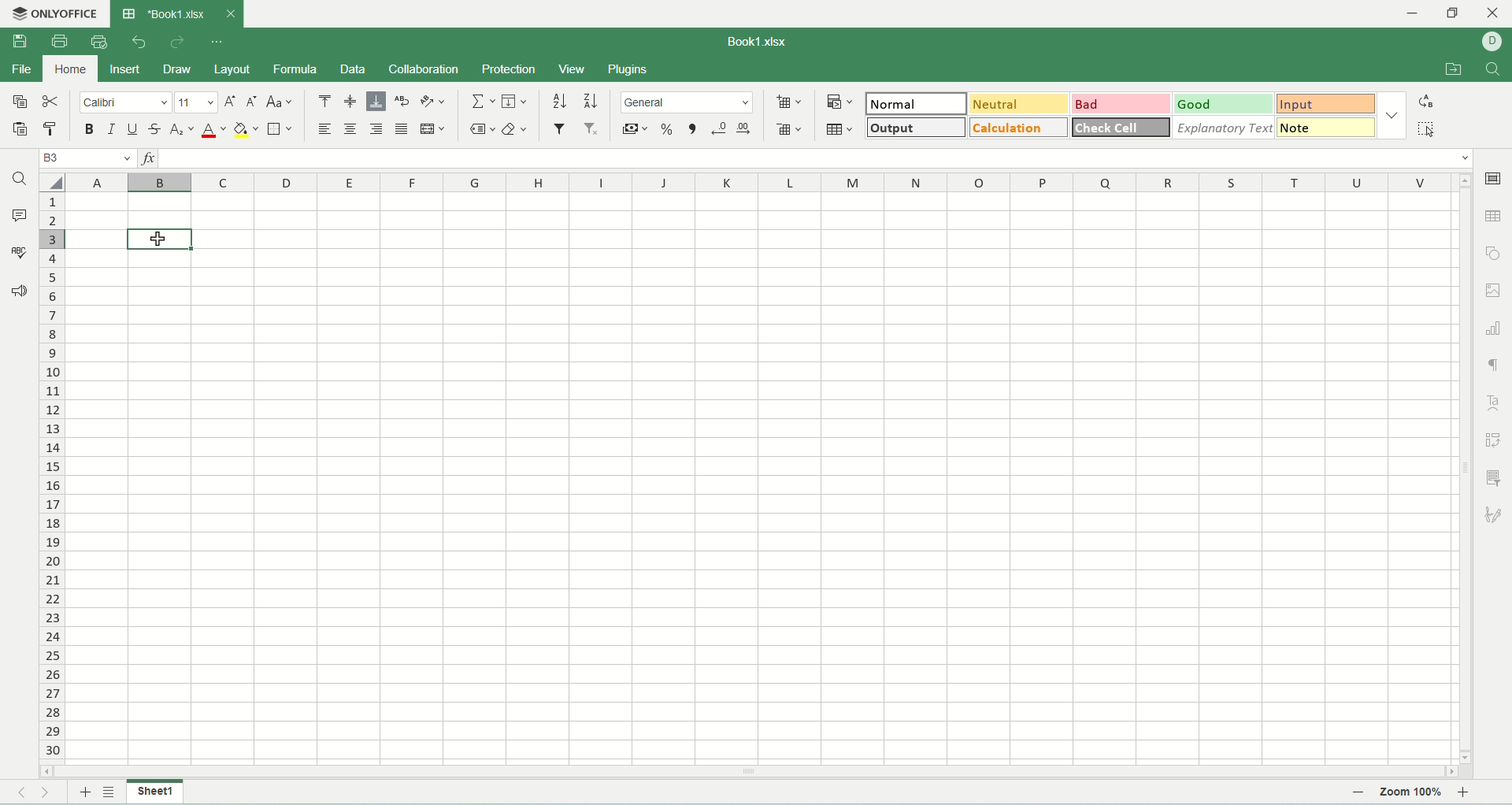  I want to click on table setting, so click(1495, 215).